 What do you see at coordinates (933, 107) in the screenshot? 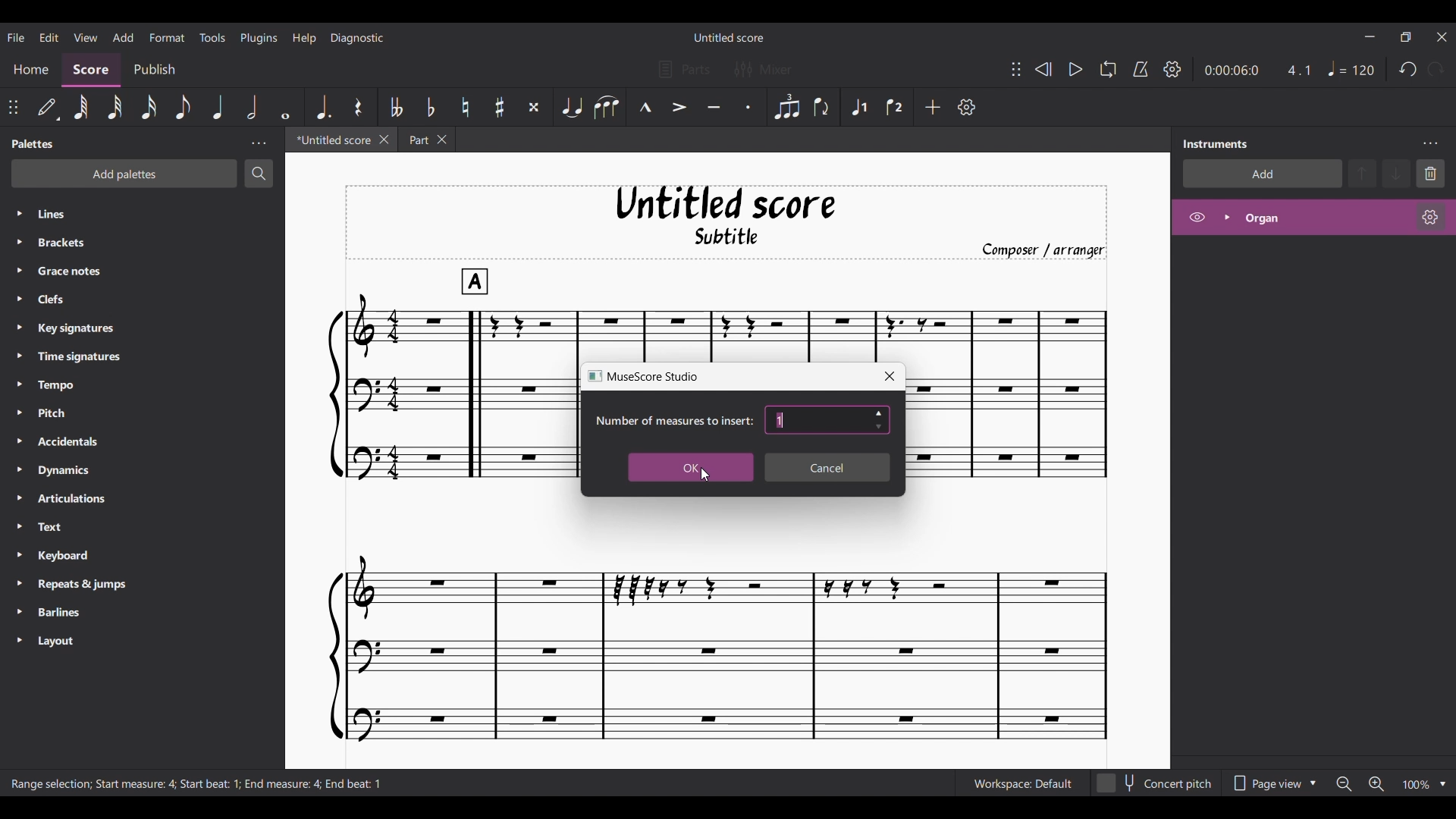
I see `Add` at bounding box center [933, 107].